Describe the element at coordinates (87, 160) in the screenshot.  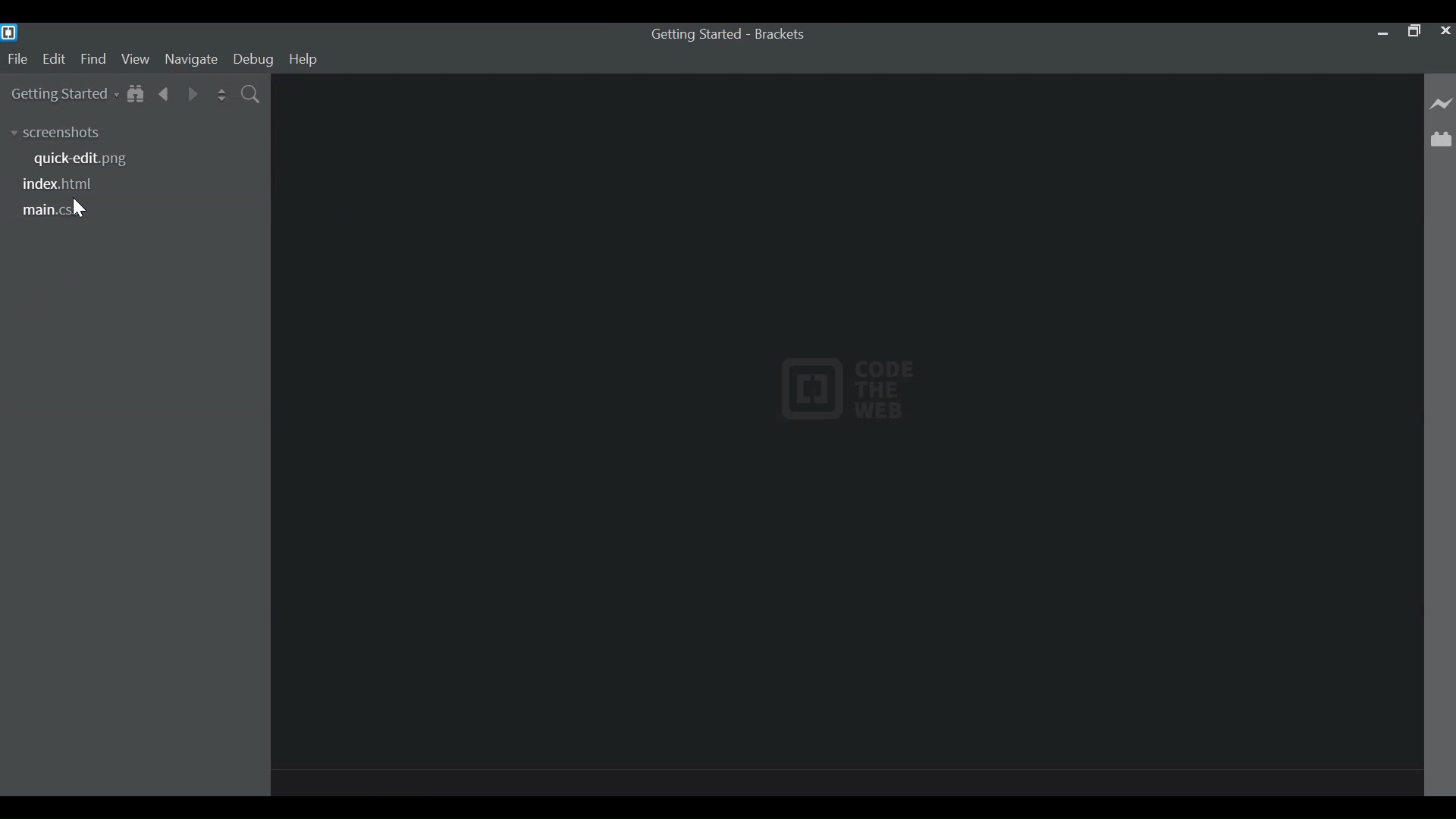
I see `quick-edit.png` at that location.